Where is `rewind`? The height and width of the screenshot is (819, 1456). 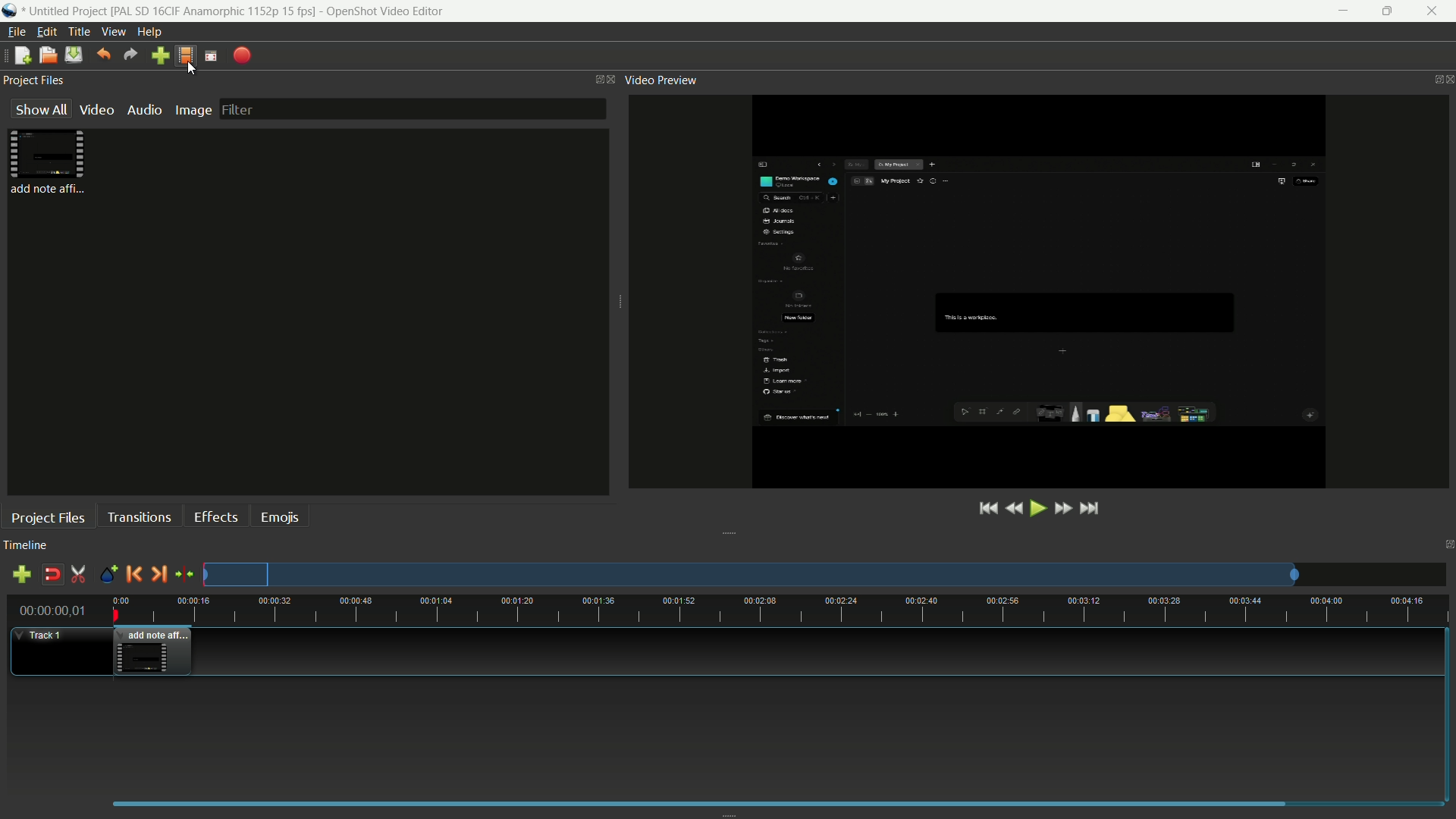 rewind is located at coordinates (1014, 510).